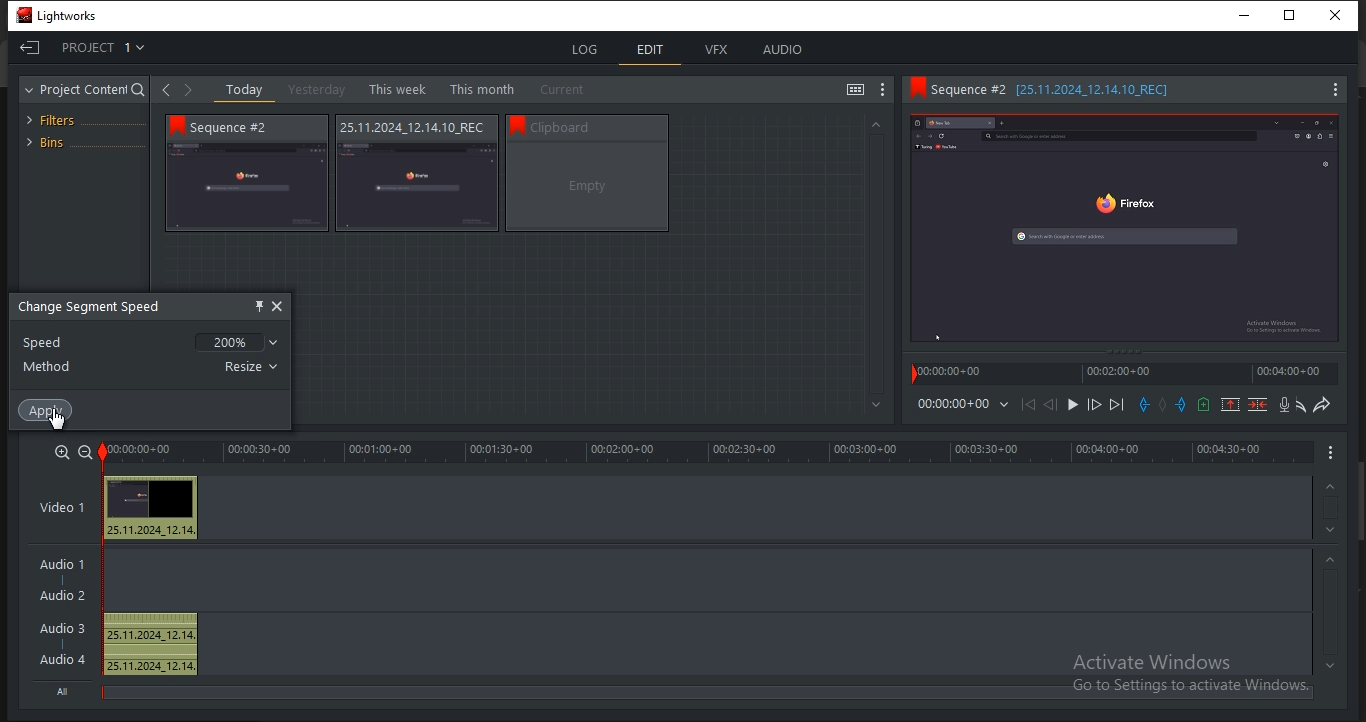  What do you see at coordinates (242, 127) in the screenshot?
I see `Sequence # 2` at bounding box center [242, 127].